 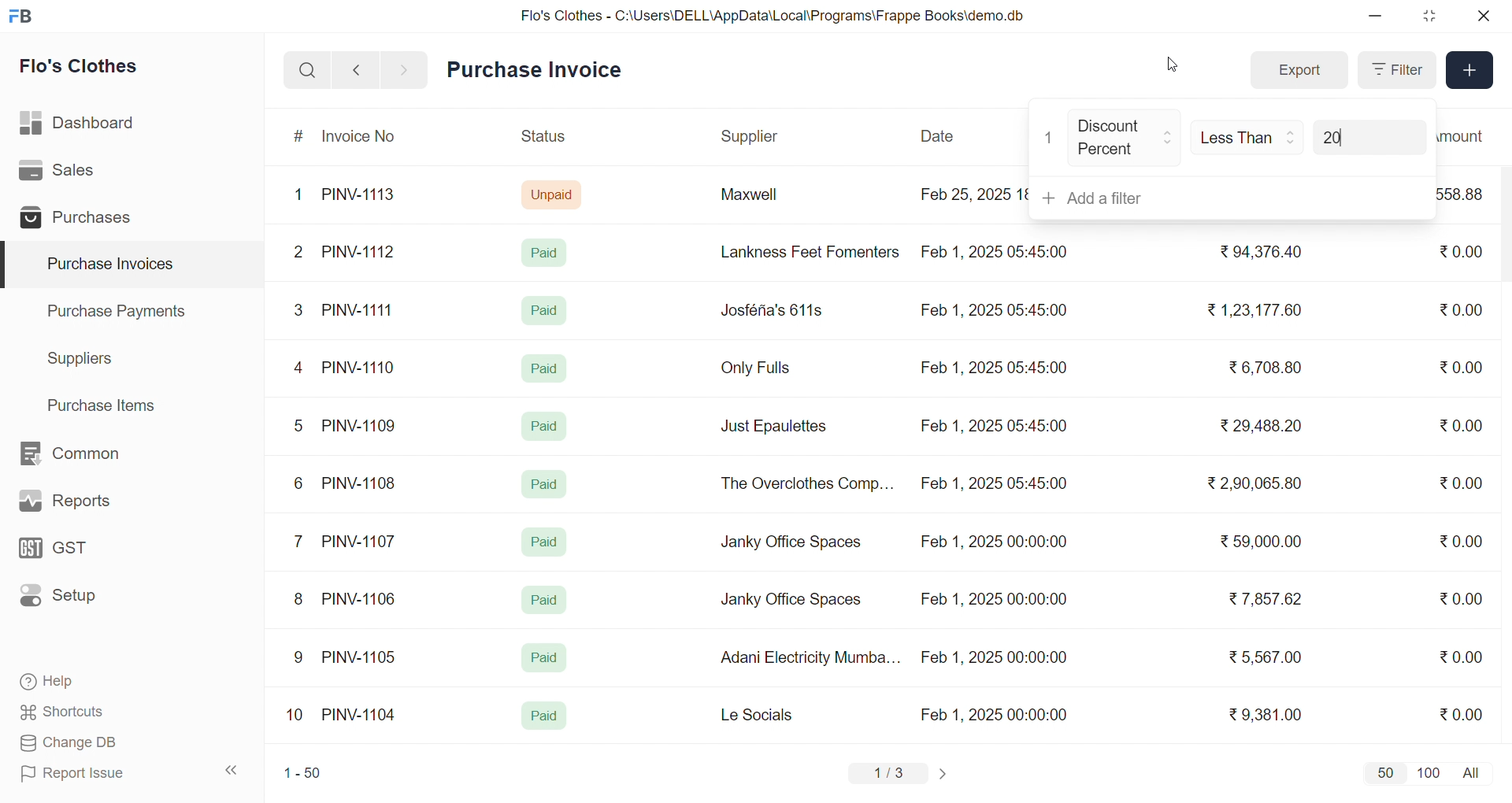 I want to click on Suppliers, so click(x=83, y=358).